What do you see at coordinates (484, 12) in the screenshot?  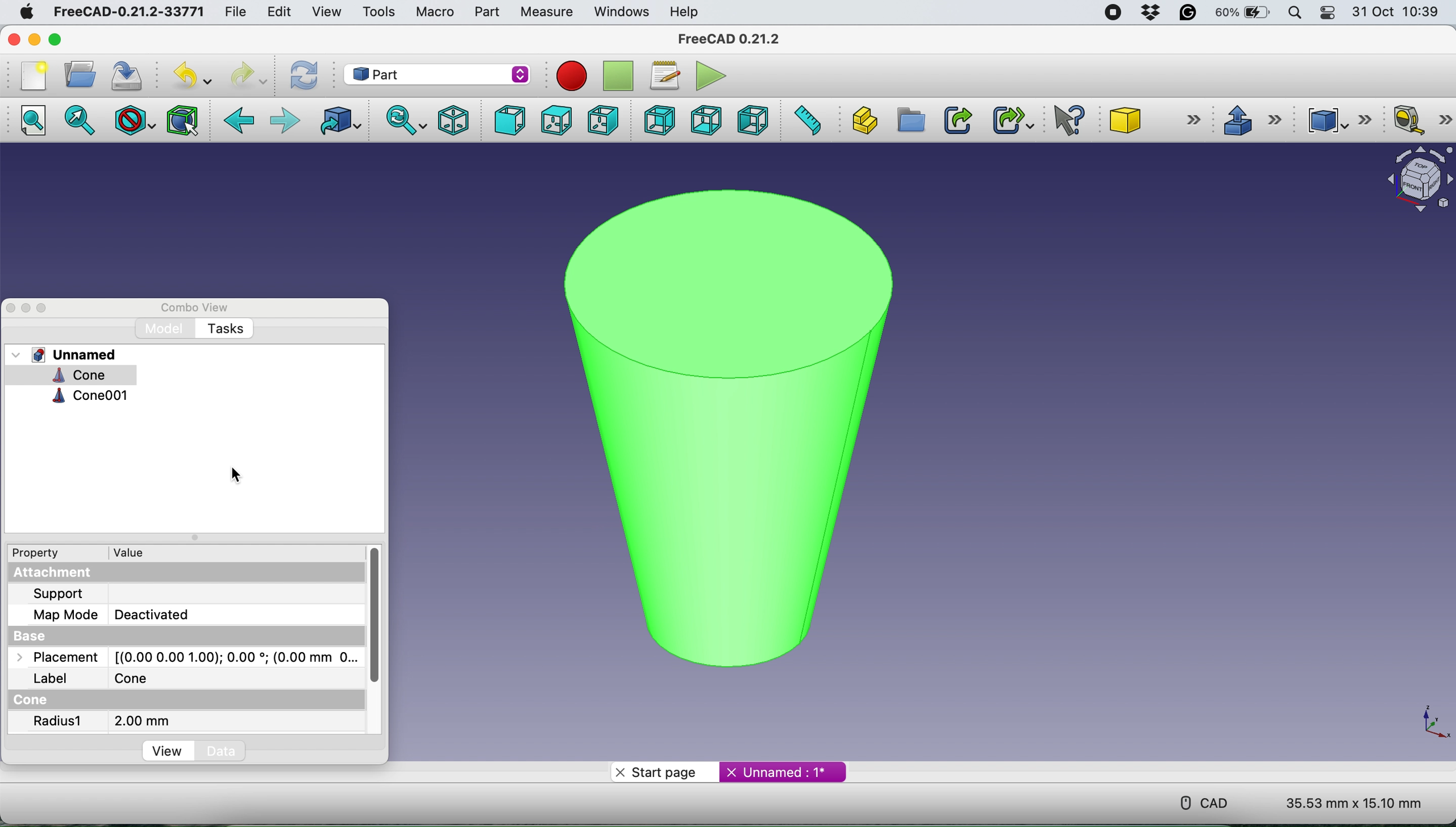 I see `part` at bounding box center [484, 12].